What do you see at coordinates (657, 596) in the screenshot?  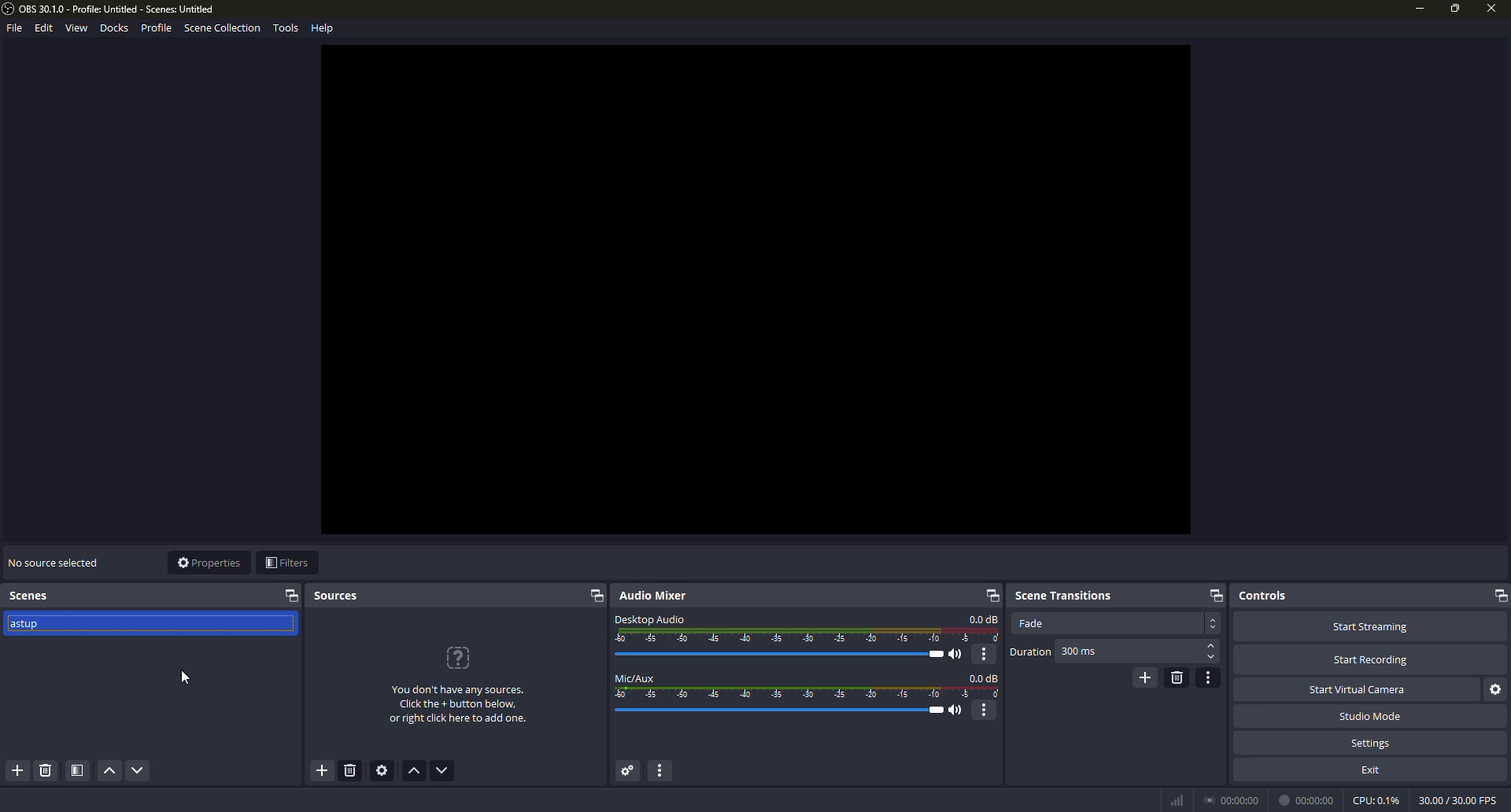 I see `audio mixer` at bounding box center [657, 596].